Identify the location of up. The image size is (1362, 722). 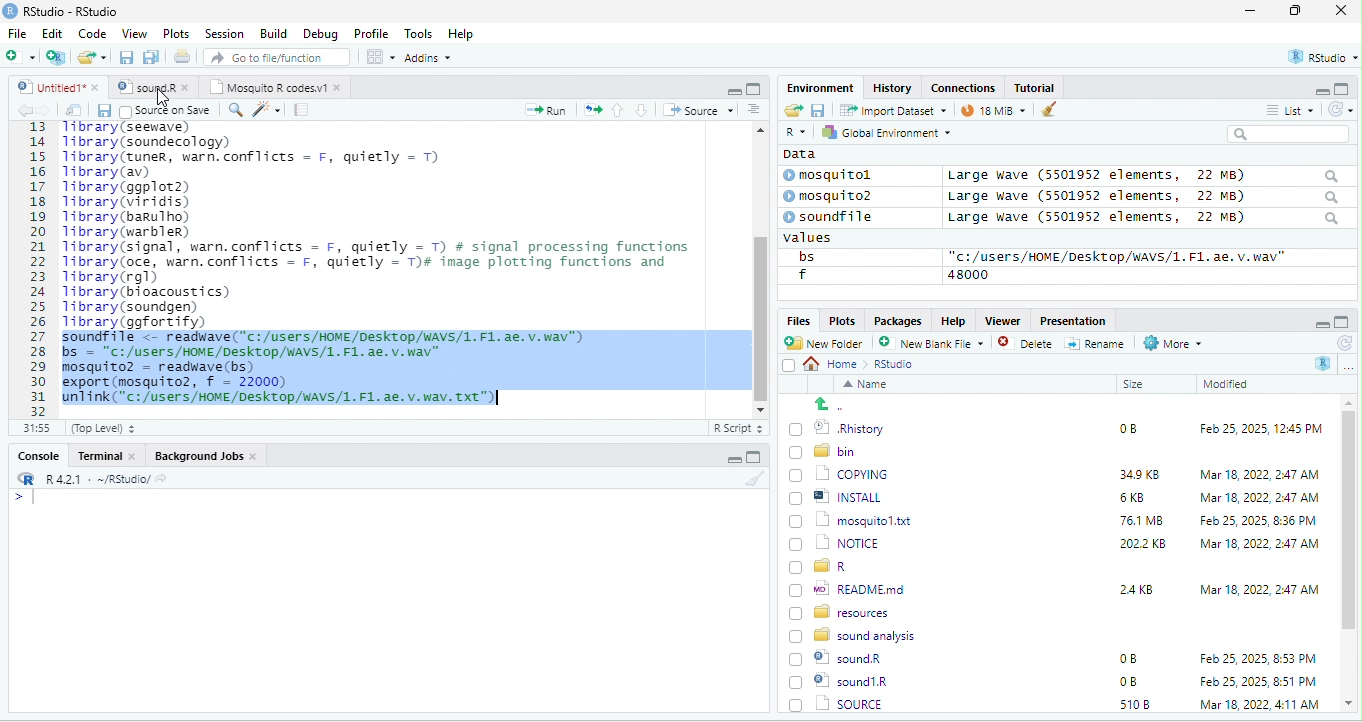
(619, 109).